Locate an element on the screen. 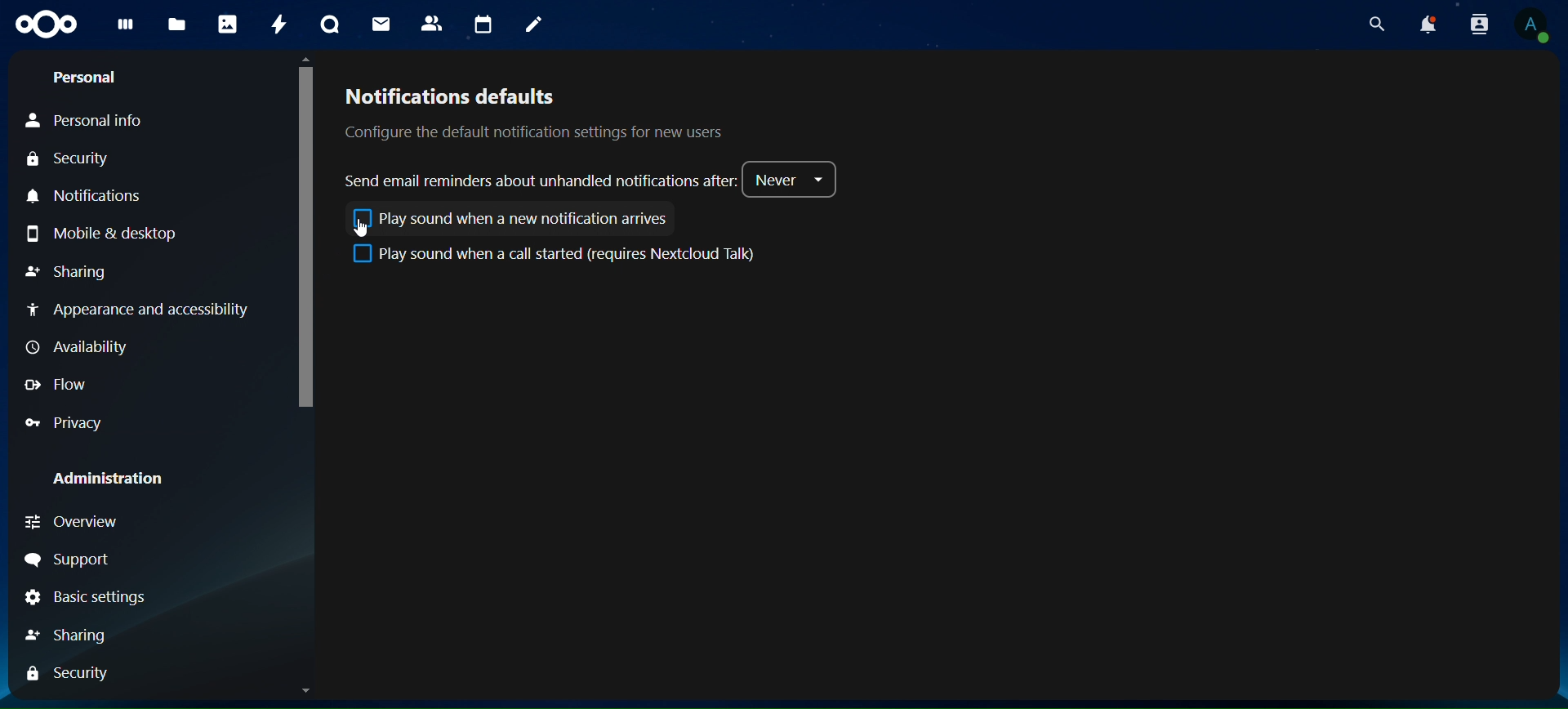 This screenshot has width=1568, height=709. Security is located at coordinates (67, 161).